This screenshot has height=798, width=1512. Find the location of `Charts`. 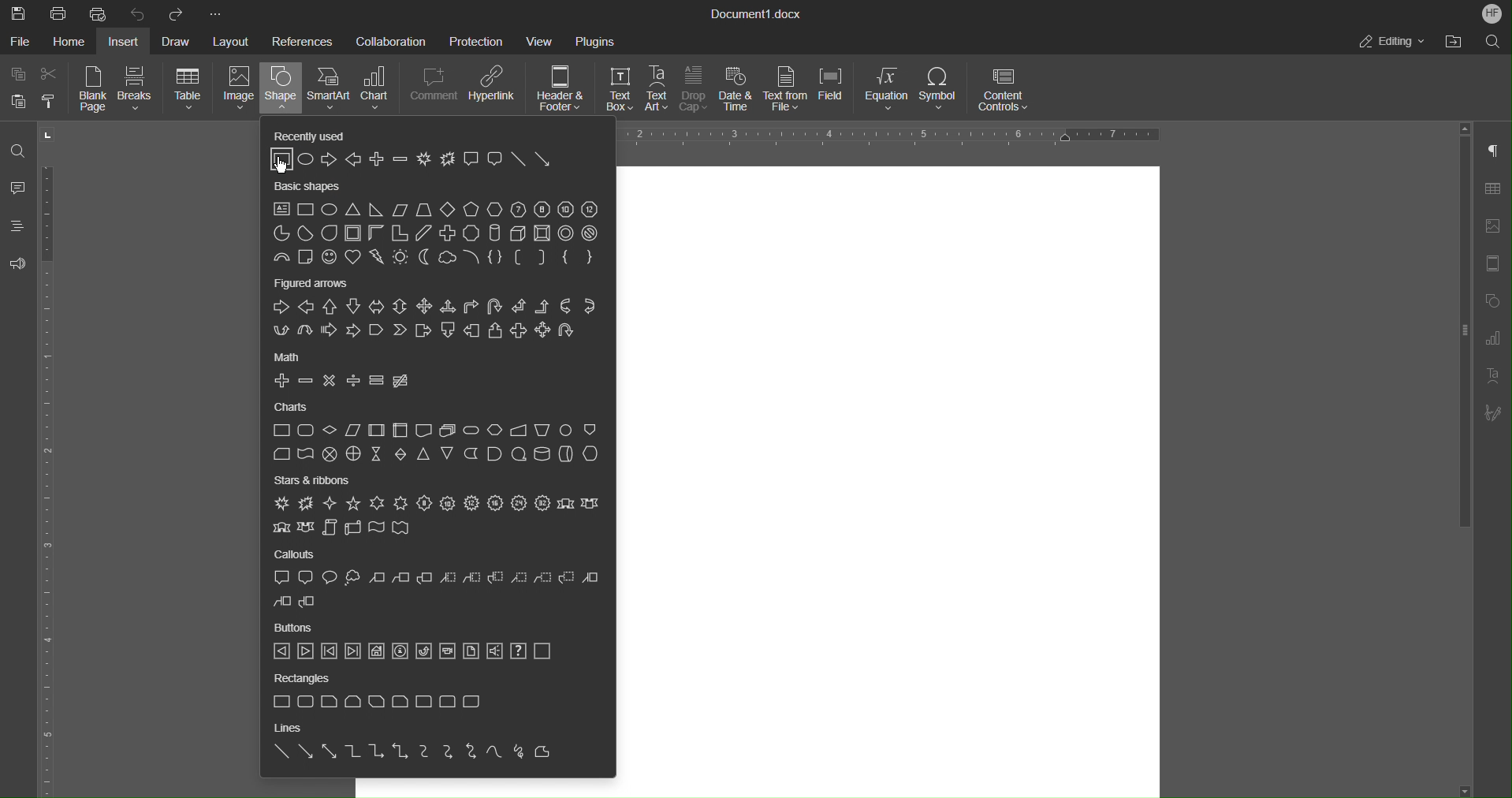

Charts is located at coordinates (290, 408).